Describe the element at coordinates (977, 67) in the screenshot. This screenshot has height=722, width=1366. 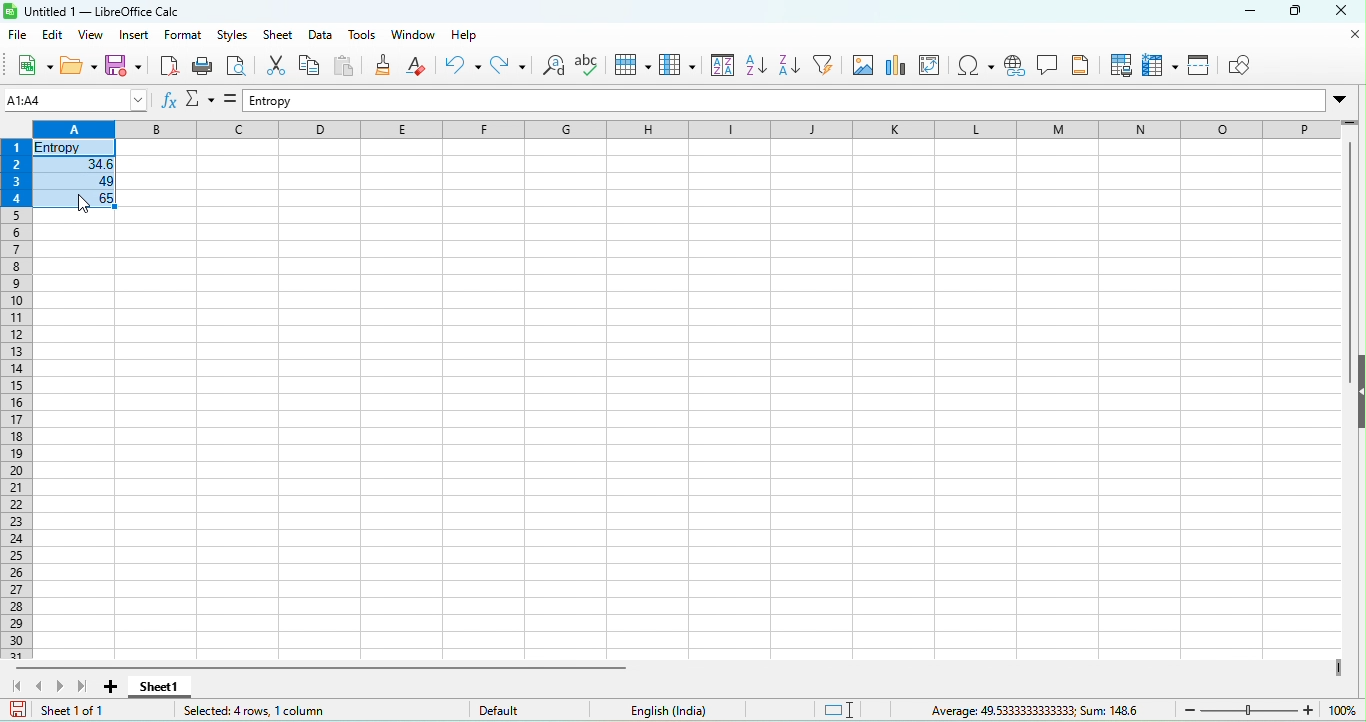
I see `special character` at that location.